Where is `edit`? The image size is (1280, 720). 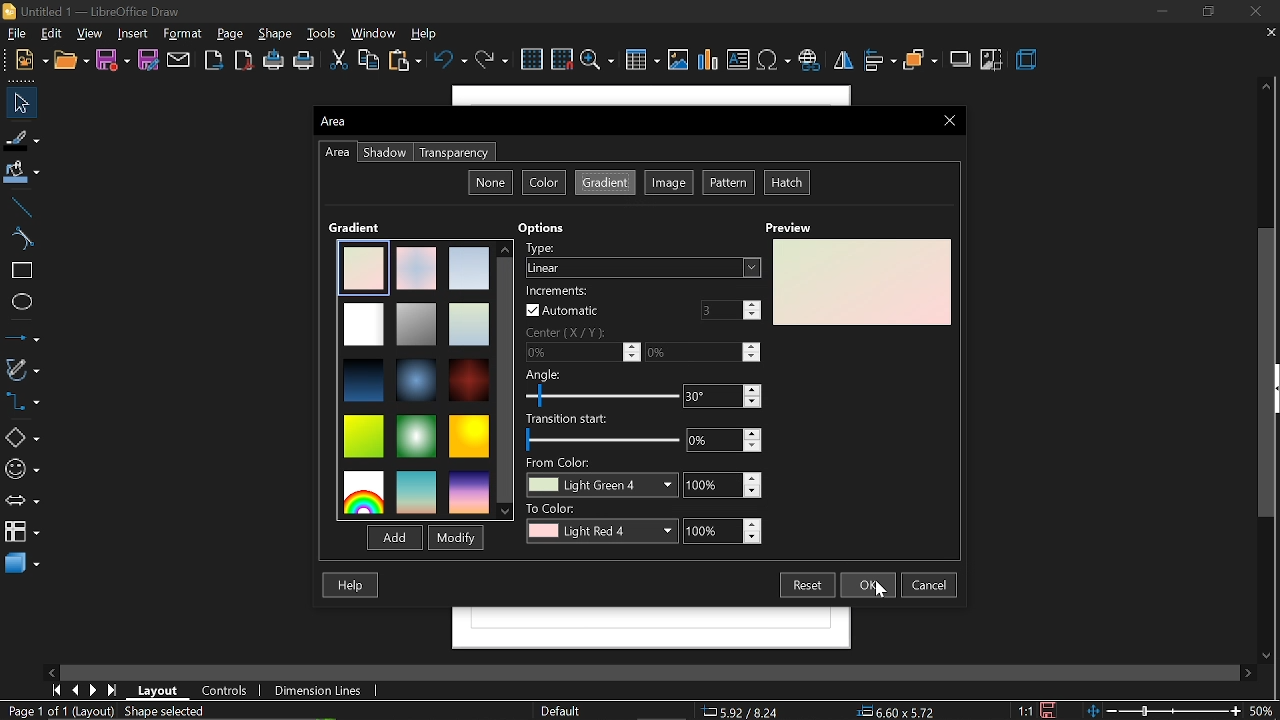 edit is located at coordinates (51, 34).